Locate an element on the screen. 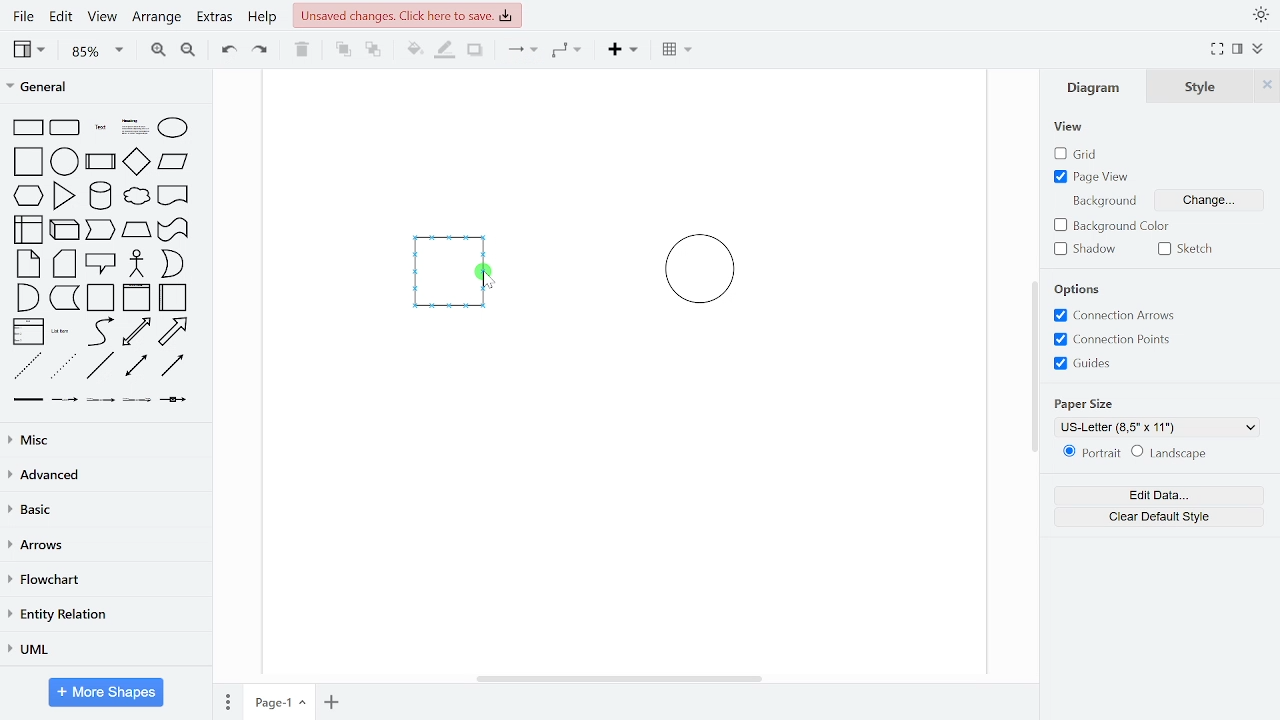 The image size is (1280, 720). internal storage is located at coordinates (30, 231).